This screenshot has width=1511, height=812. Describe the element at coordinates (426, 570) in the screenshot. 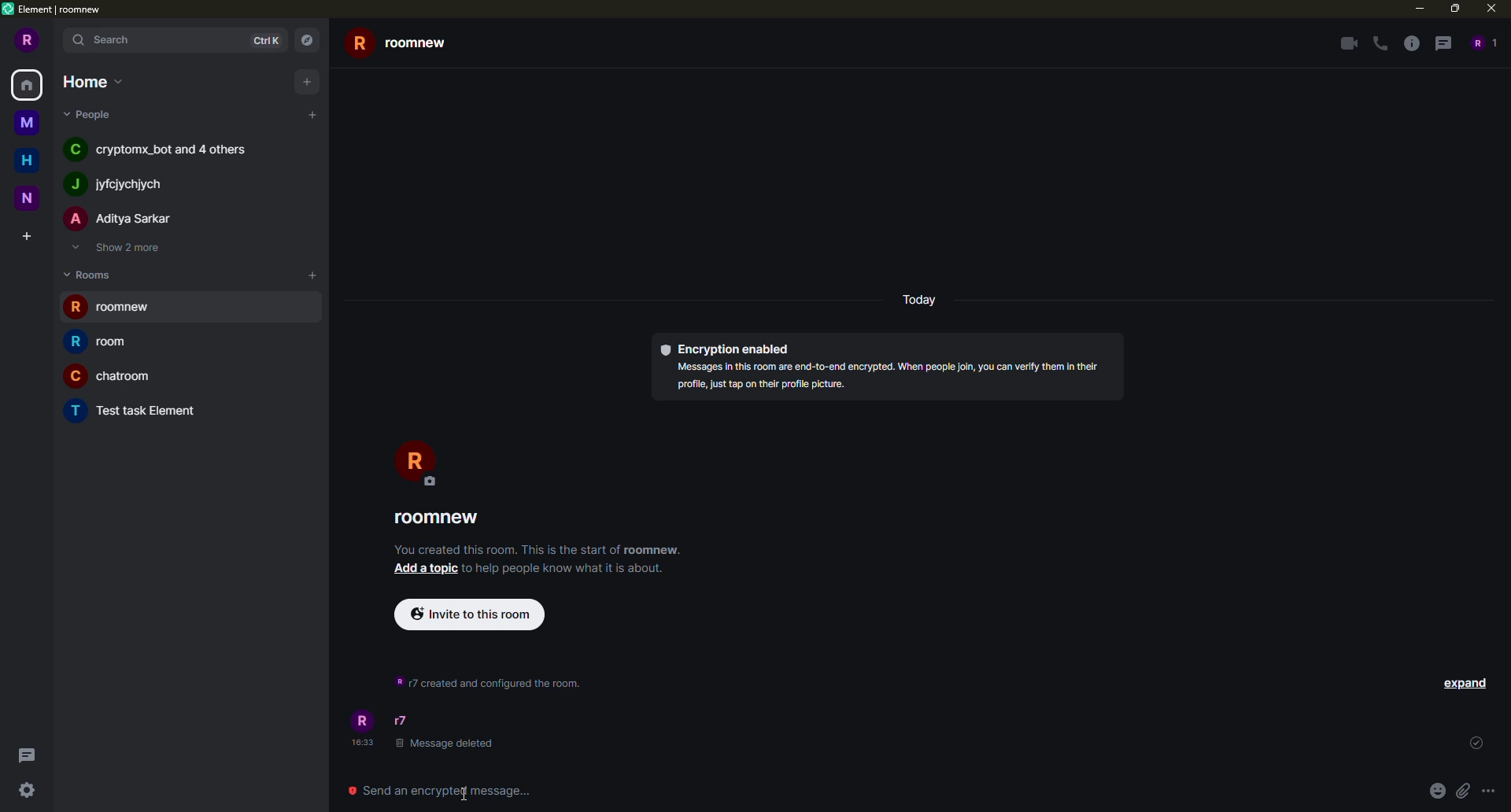

I see `add a topic` at that location.